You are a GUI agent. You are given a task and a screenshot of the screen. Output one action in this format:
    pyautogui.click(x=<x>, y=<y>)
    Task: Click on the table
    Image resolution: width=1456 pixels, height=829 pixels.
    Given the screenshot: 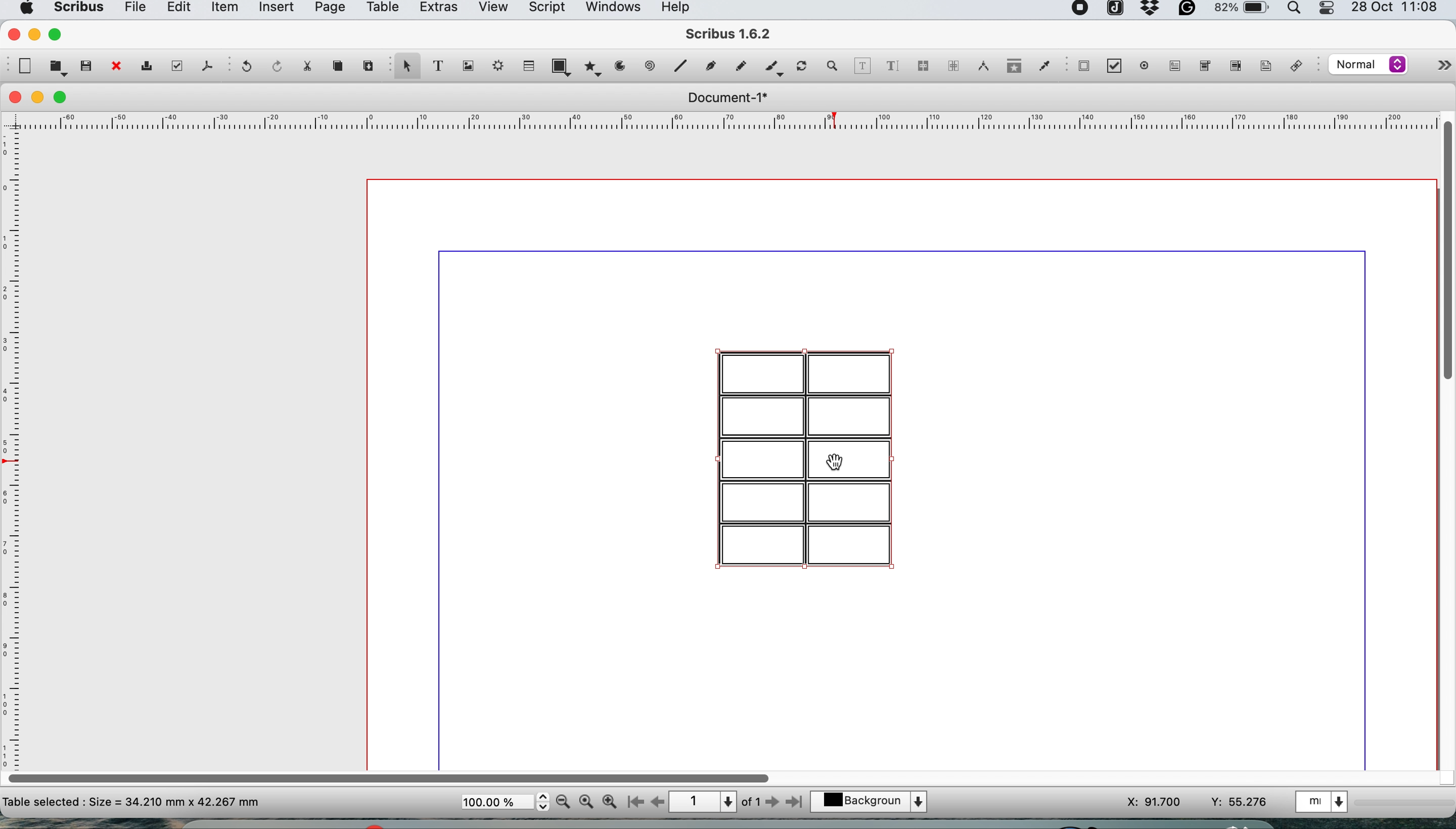 What is the action you would take?
    pyautogui.click(x=527, y=65)
    